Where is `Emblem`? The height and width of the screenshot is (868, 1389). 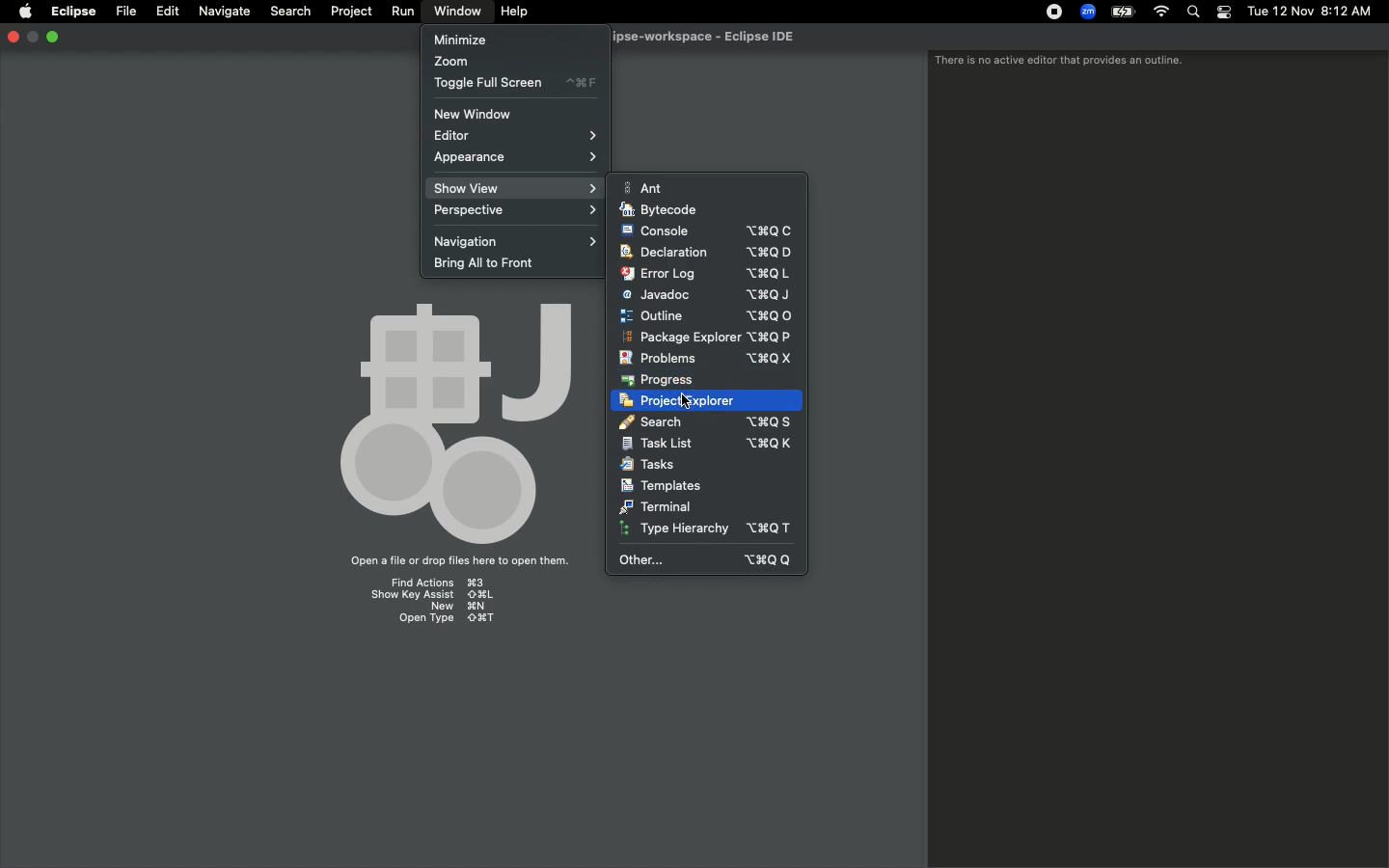 Emblem is located at coordinates (455, 417).